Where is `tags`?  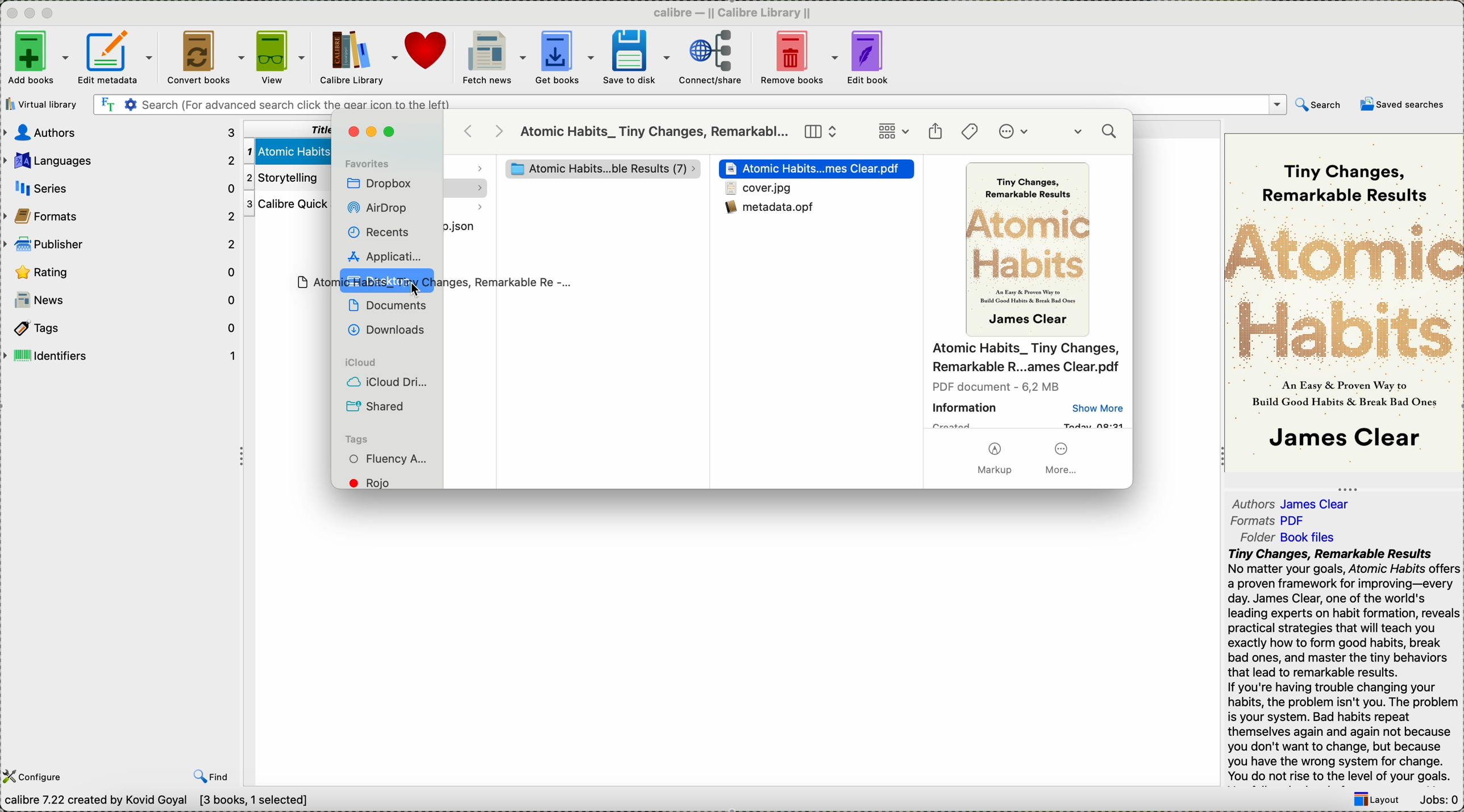
tags is located at coordinates (356, 439).